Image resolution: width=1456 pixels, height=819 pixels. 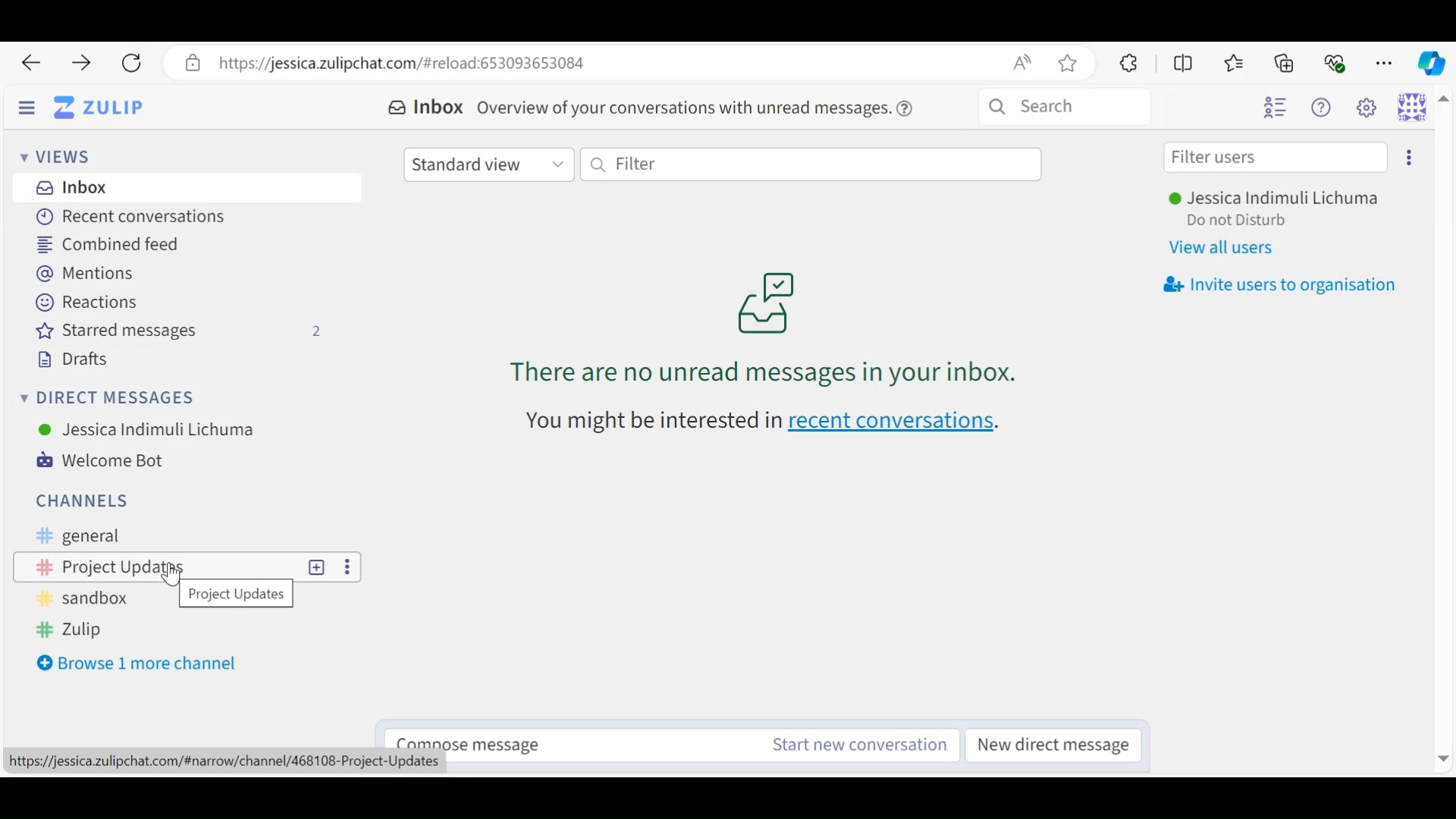 What do you see at coordinates (1238, 221) in the screenshot?
I see `Status` at bounding box center [1238, 221].